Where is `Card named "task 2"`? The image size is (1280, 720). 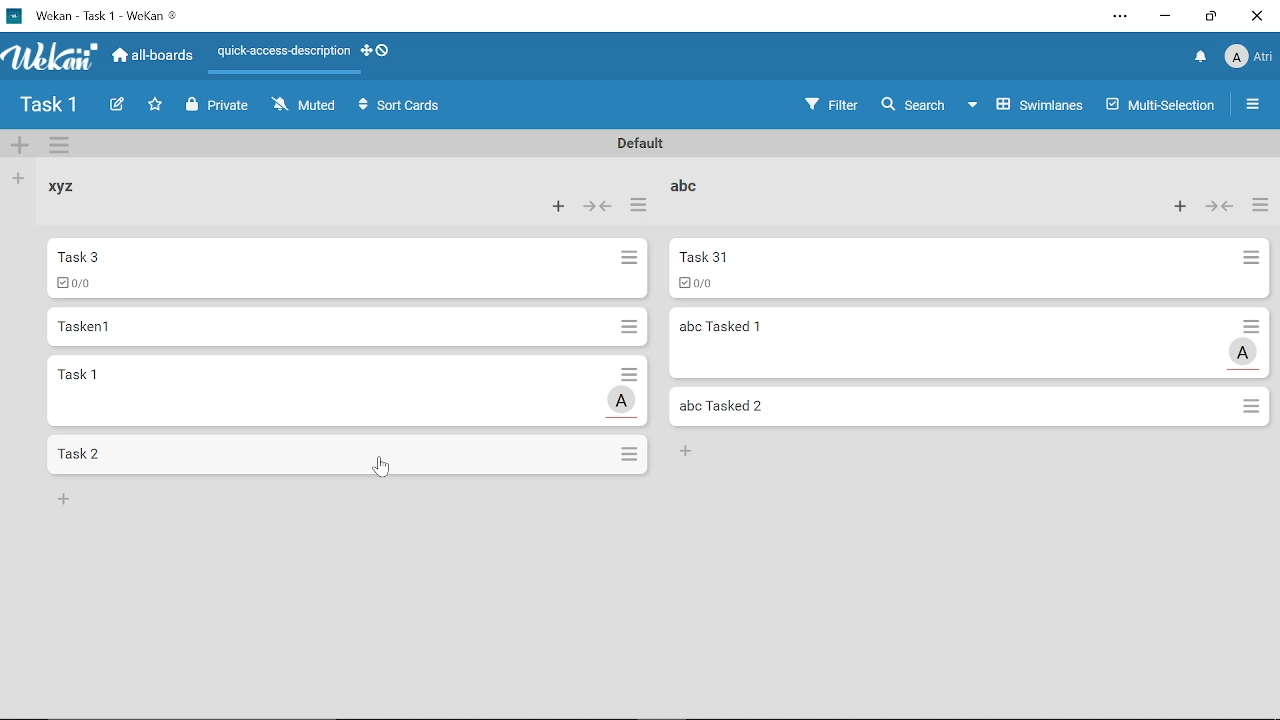 Card named "task 2" is located at coordinates (328, 454).